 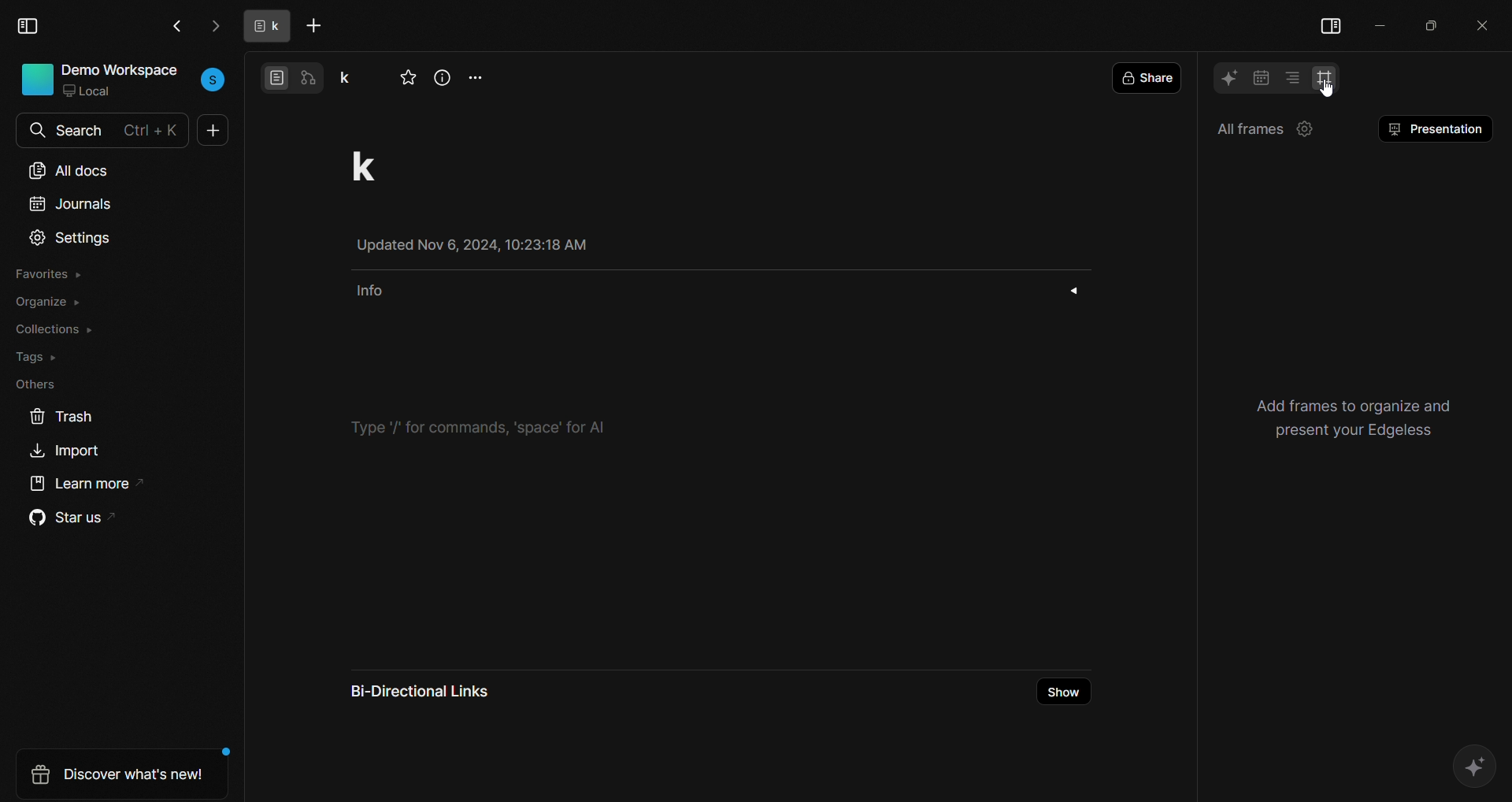 I want to click on AI, so click(x=1469, y=766).